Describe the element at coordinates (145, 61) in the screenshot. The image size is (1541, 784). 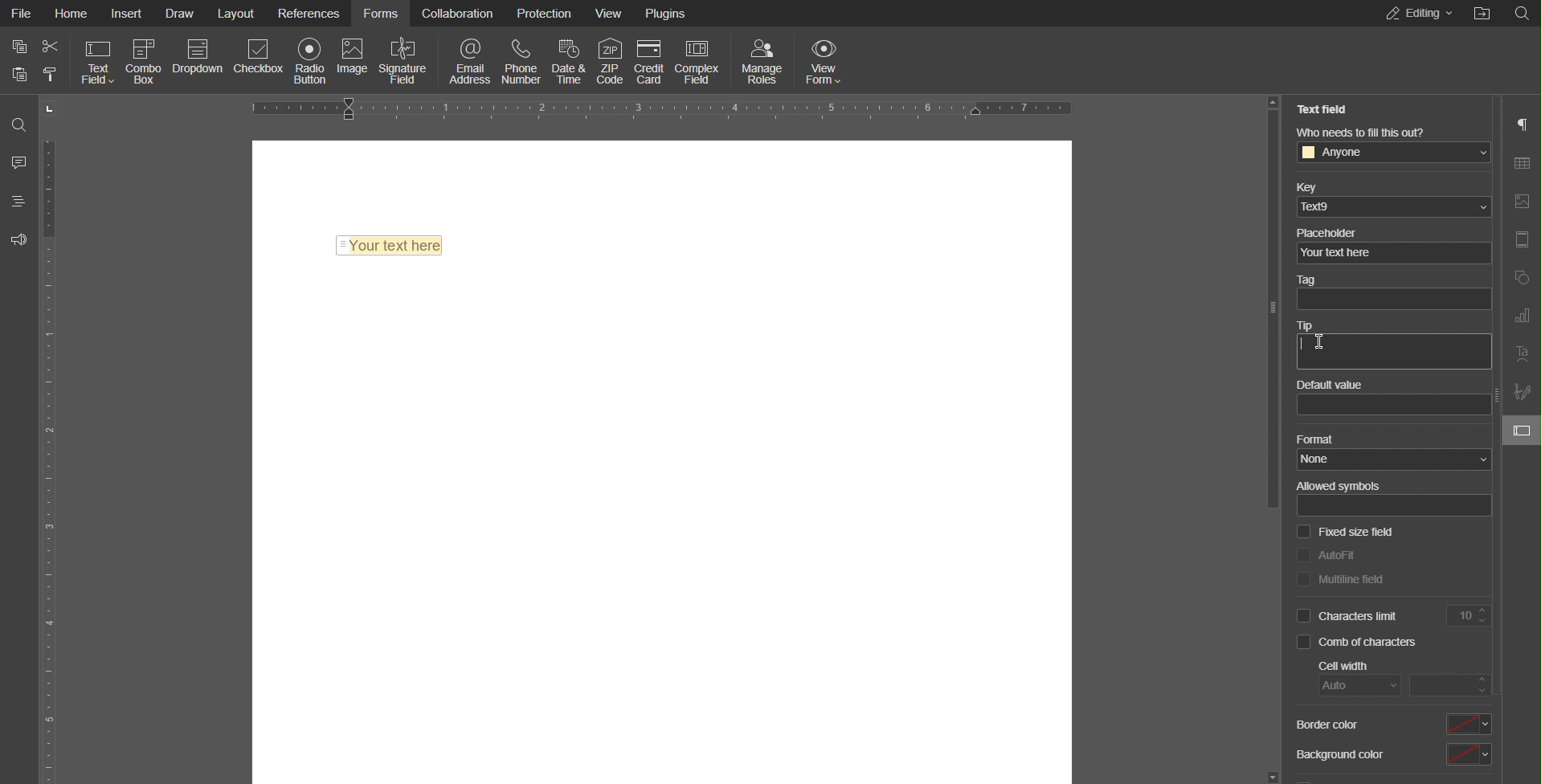
I see `Combo Box` at that location.